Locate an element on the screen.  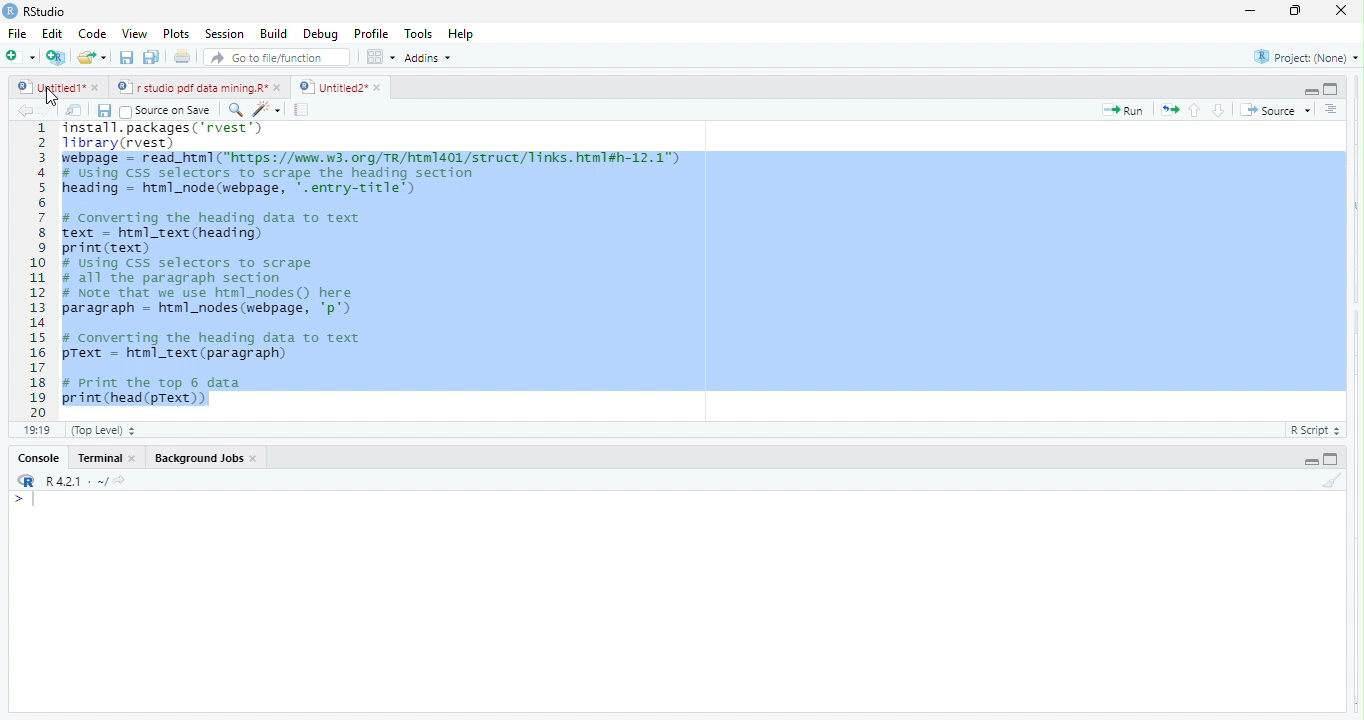
SESTATE. PELEIgESL. Vewes J
Tibrary(rvest)|

Febpage = read_htm1 (https: //mm.w3. org/TR/htm1401/struct/Tinks. html#h-12.1")
# Using Css selectors to scrape the heading section

heading = html_node (webpage, '.entry-title')

# Converting the heading data to text

text = htnl_text (heading)

print (text)

# using Css selectors to scrape

# all the paragraph section

# Note that we use html_nodes() here

paragraph = html_nodes (webpage, 'p')

# Converting the heading data to text

pText = html_text (paragraph)

# Print the top 6 data

pl by -silhary-. +304 is located at coordinates (705, 268).